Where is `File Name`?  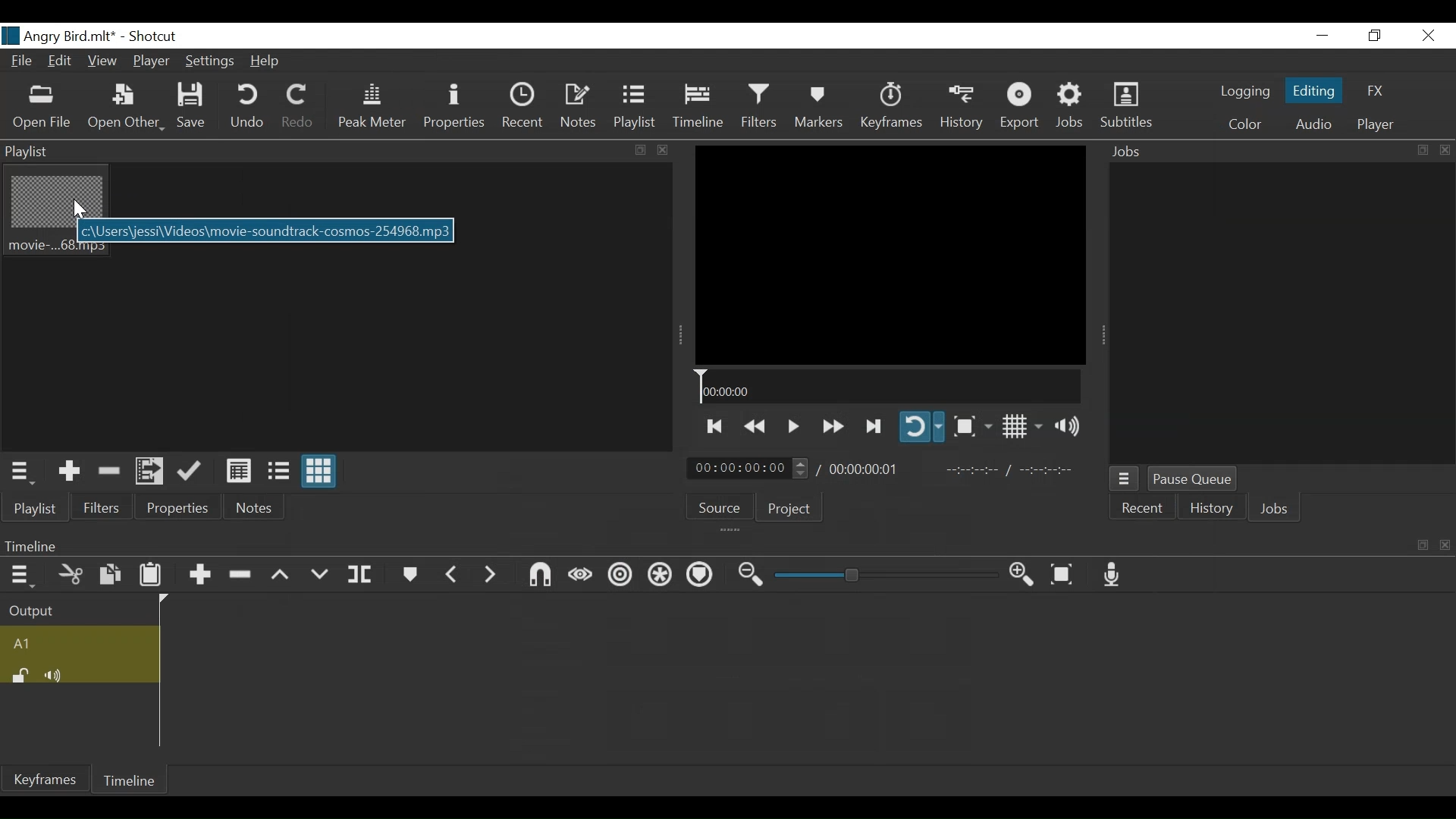
File Name is located at coordinates (60, 36).